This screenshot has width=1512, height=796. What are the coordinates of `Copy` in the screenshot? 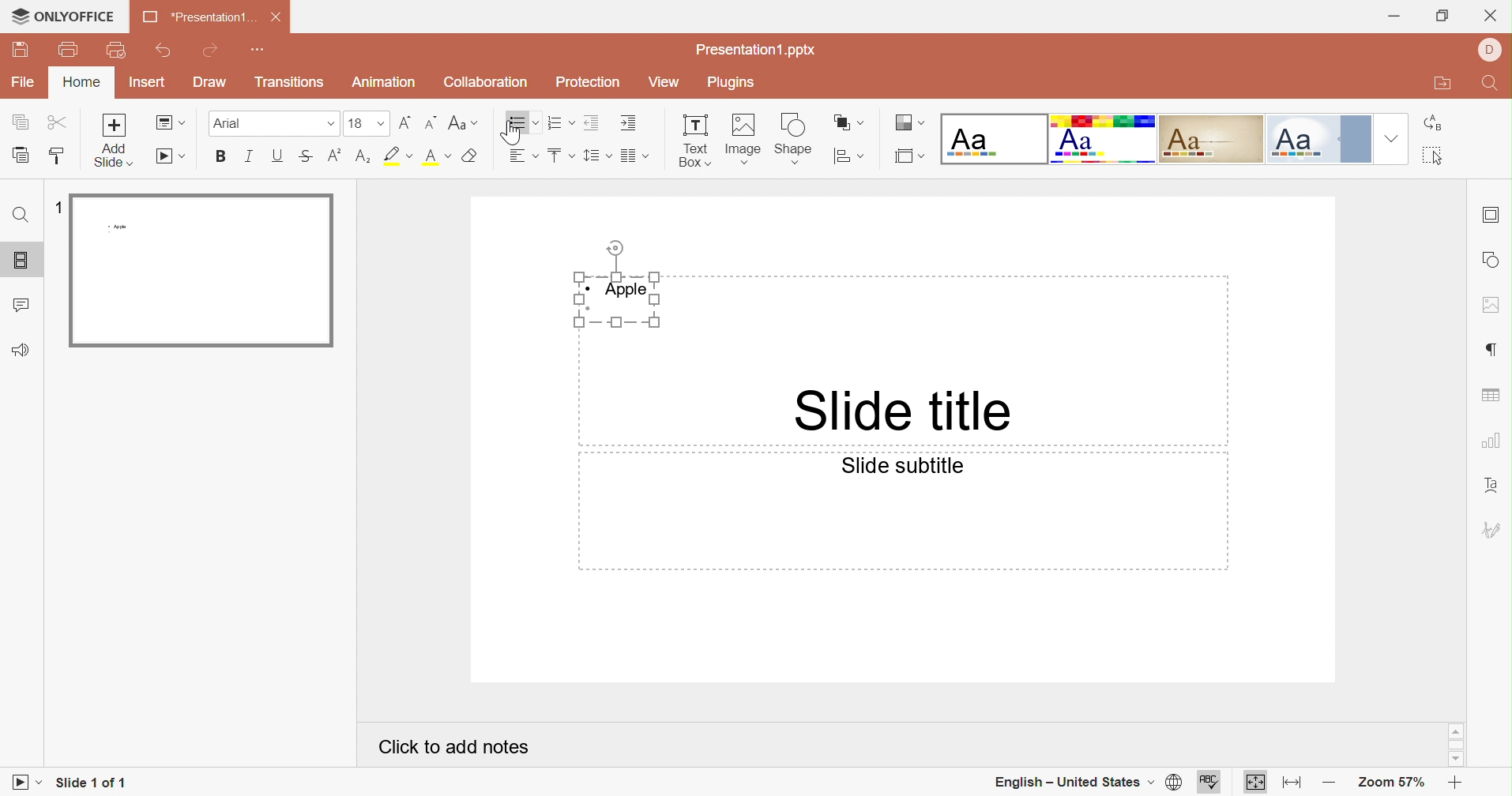 It's located at (21, 123).